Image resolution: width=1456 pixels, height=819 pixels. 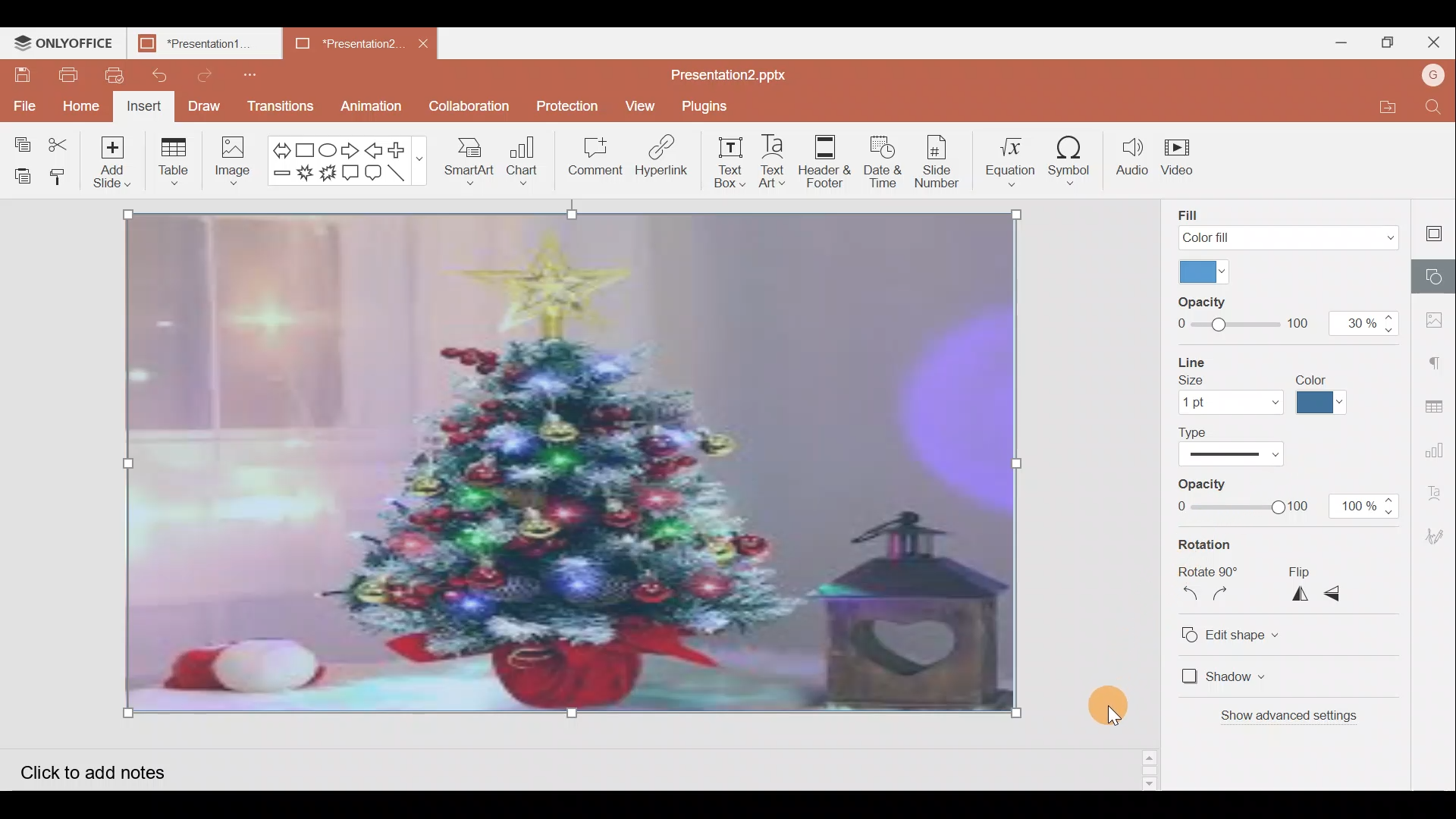 I want to click on Redo, so click(x=208, y=75).